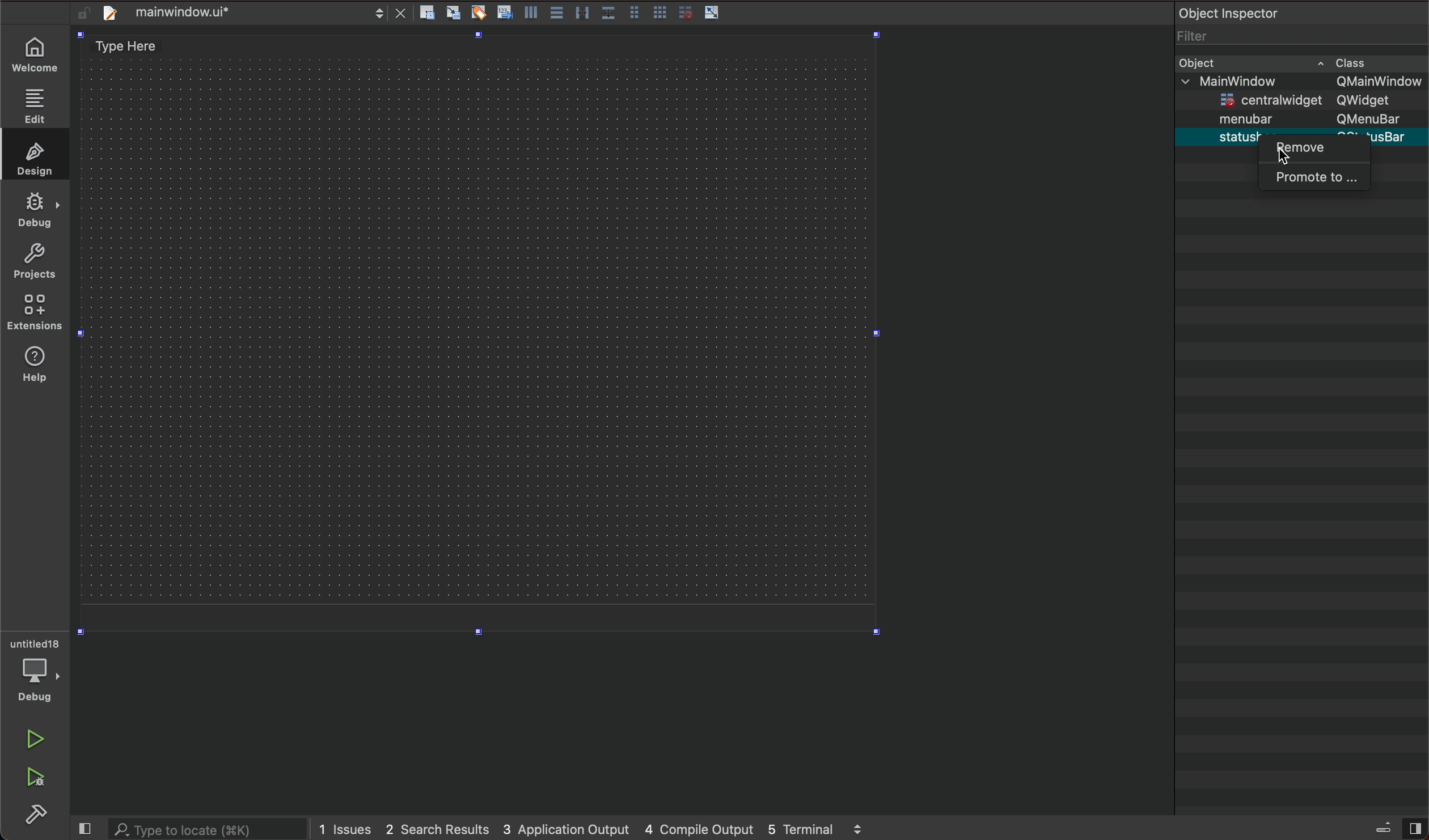 Image resolution: width=1429 pixels, height=840 pixels. What do you see at coordinates (205, 829) in the screenshot?
I see `search` at bounding box center [205, 829].